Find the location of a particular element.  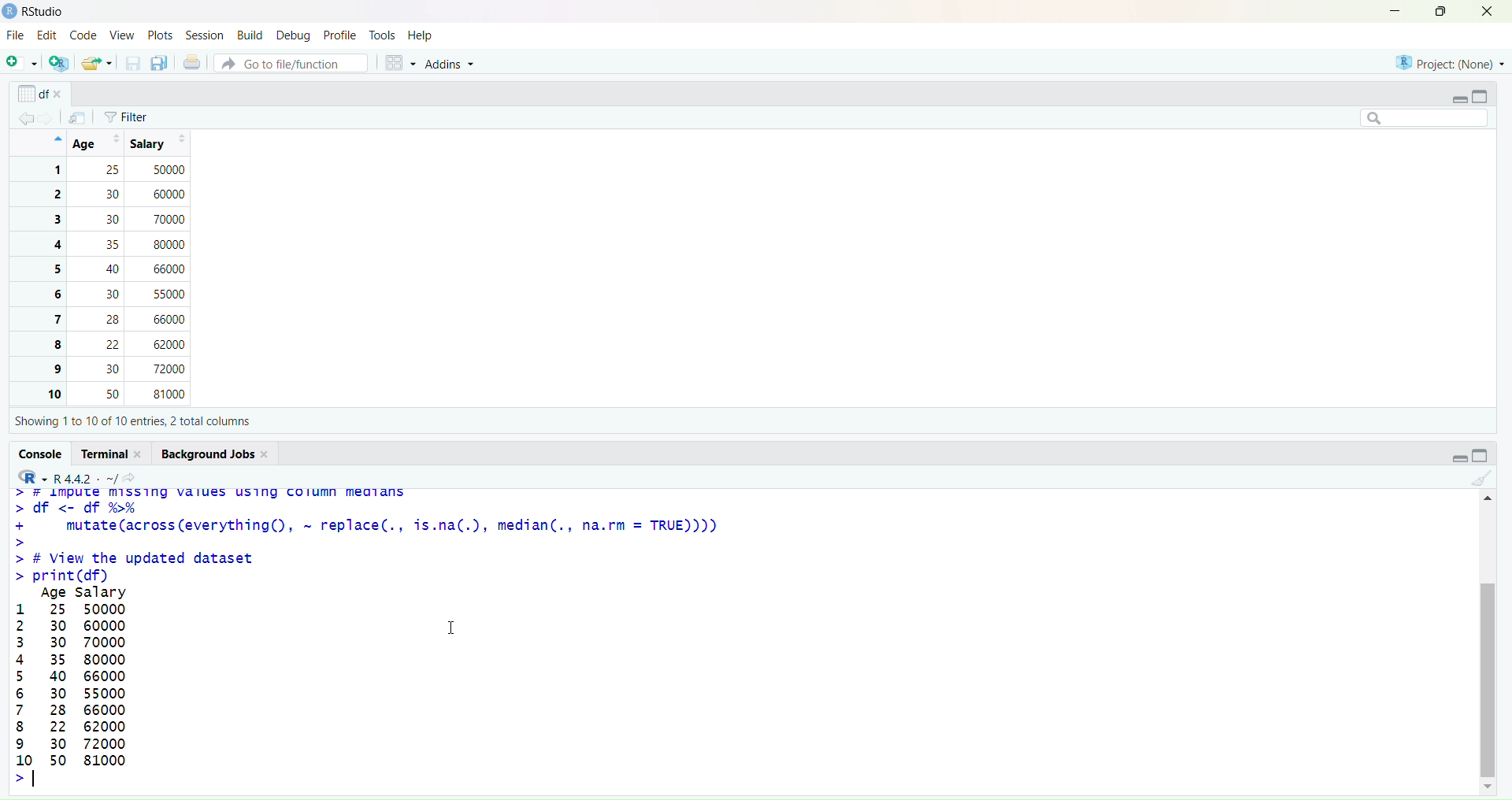

edit is located at coordinates (48, 35).